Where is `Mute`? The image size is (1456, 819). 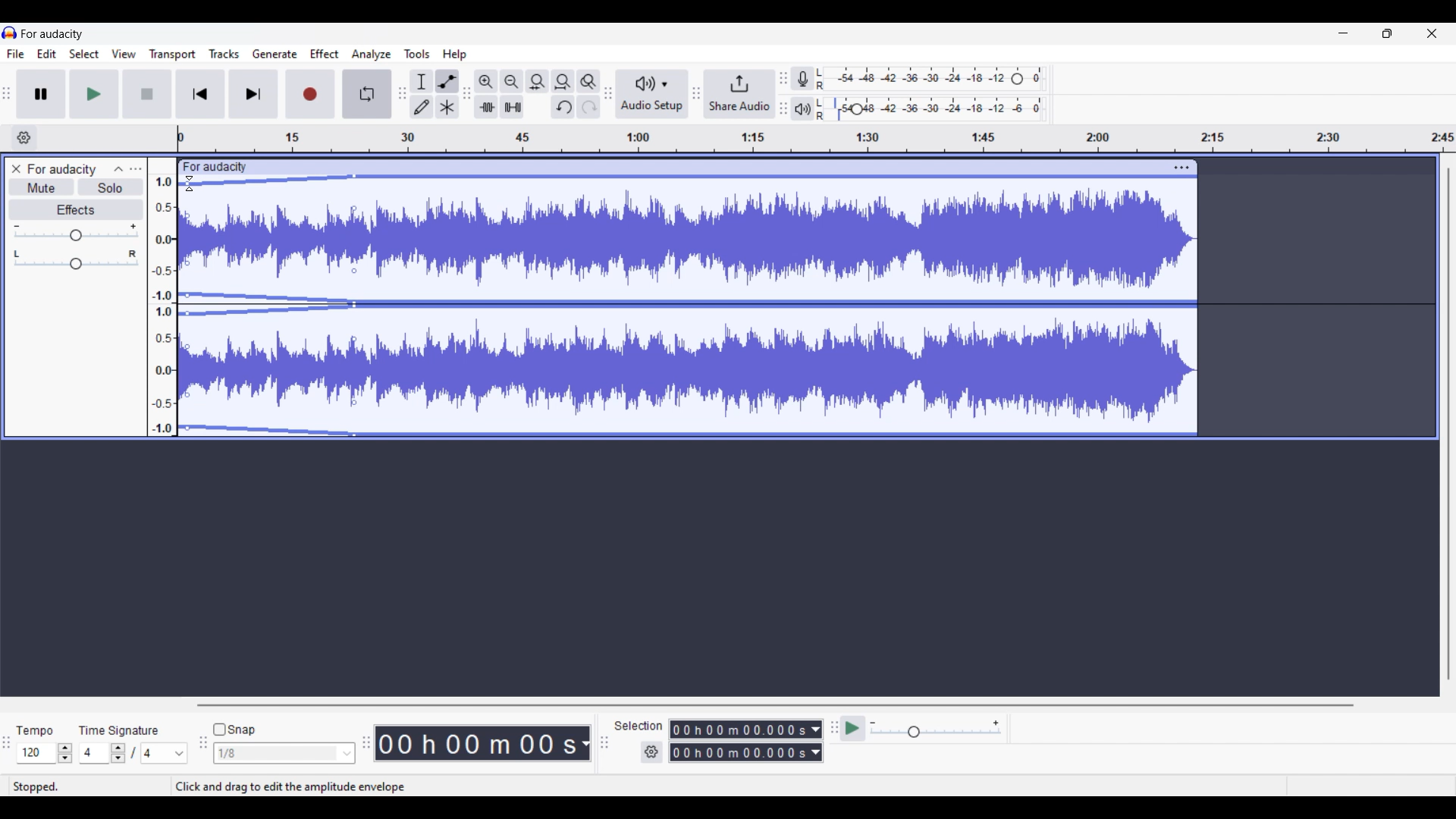 Mute is located at coordinates (42, 189).